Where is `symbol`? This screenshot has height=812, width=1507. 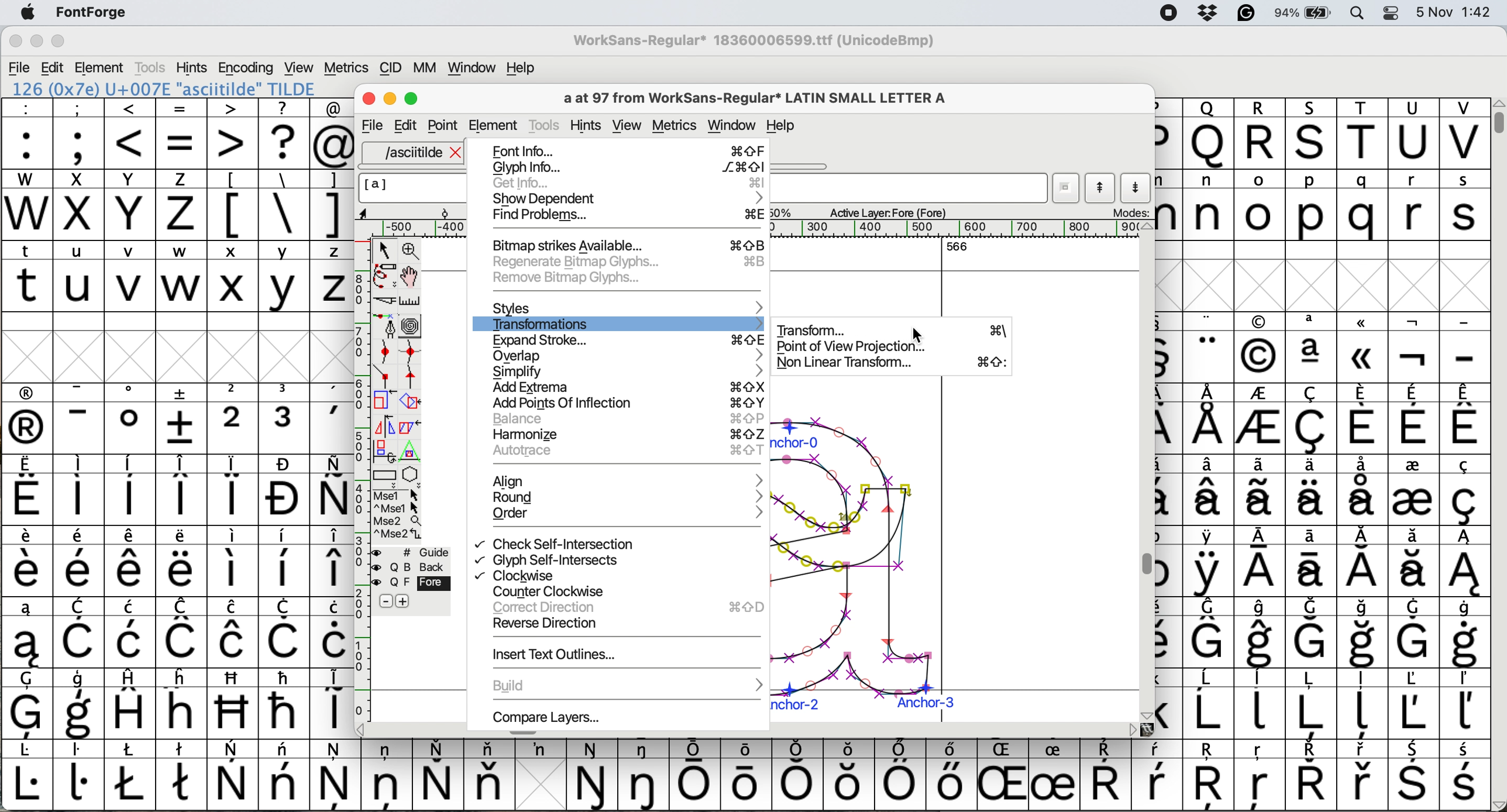 symbol is located at coordinates (1209, 632).